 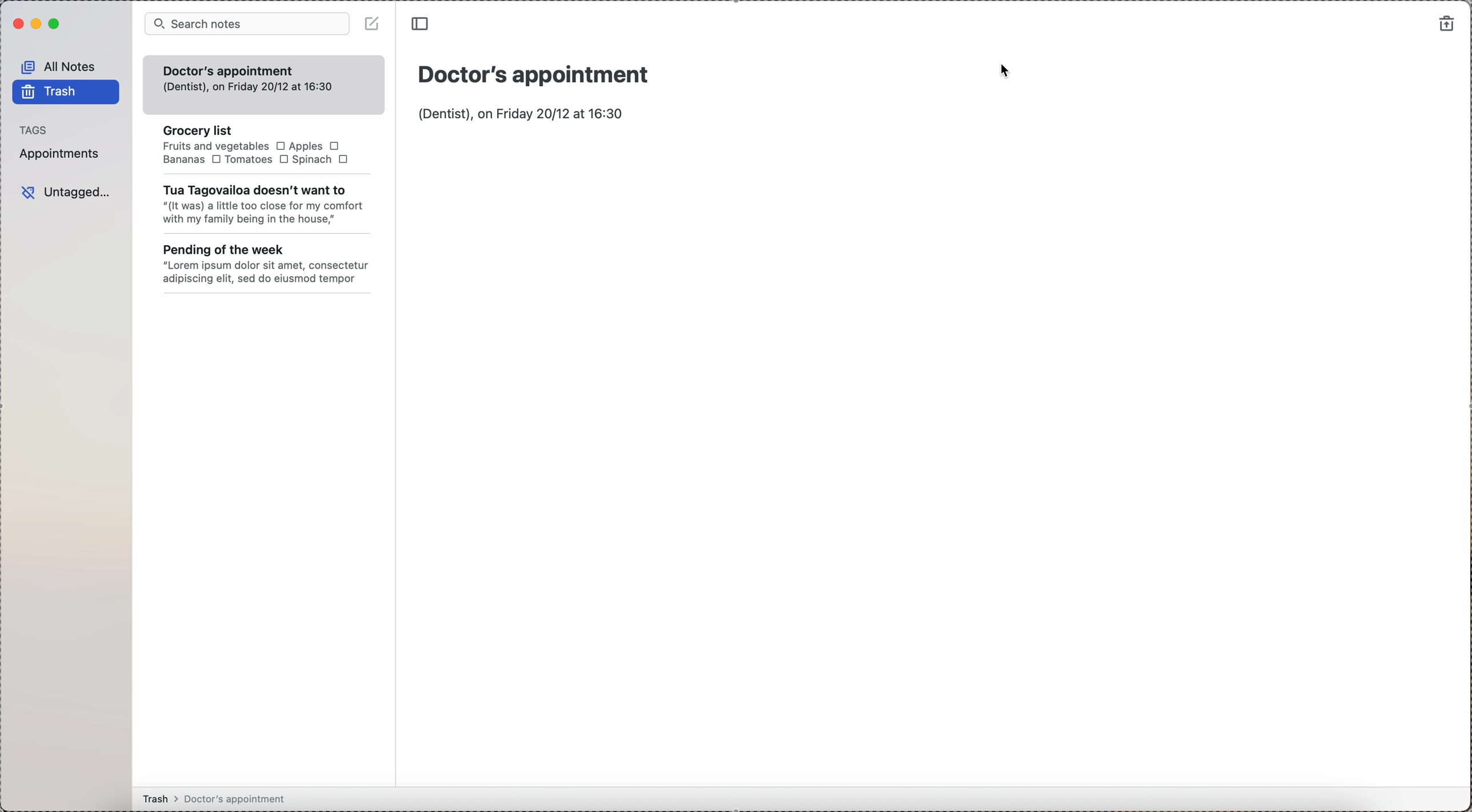 What do you see at coordinates (221, 798) in the screenshot?
I see `Trash > Doctor's appointment` at bounding box center [221, 798].